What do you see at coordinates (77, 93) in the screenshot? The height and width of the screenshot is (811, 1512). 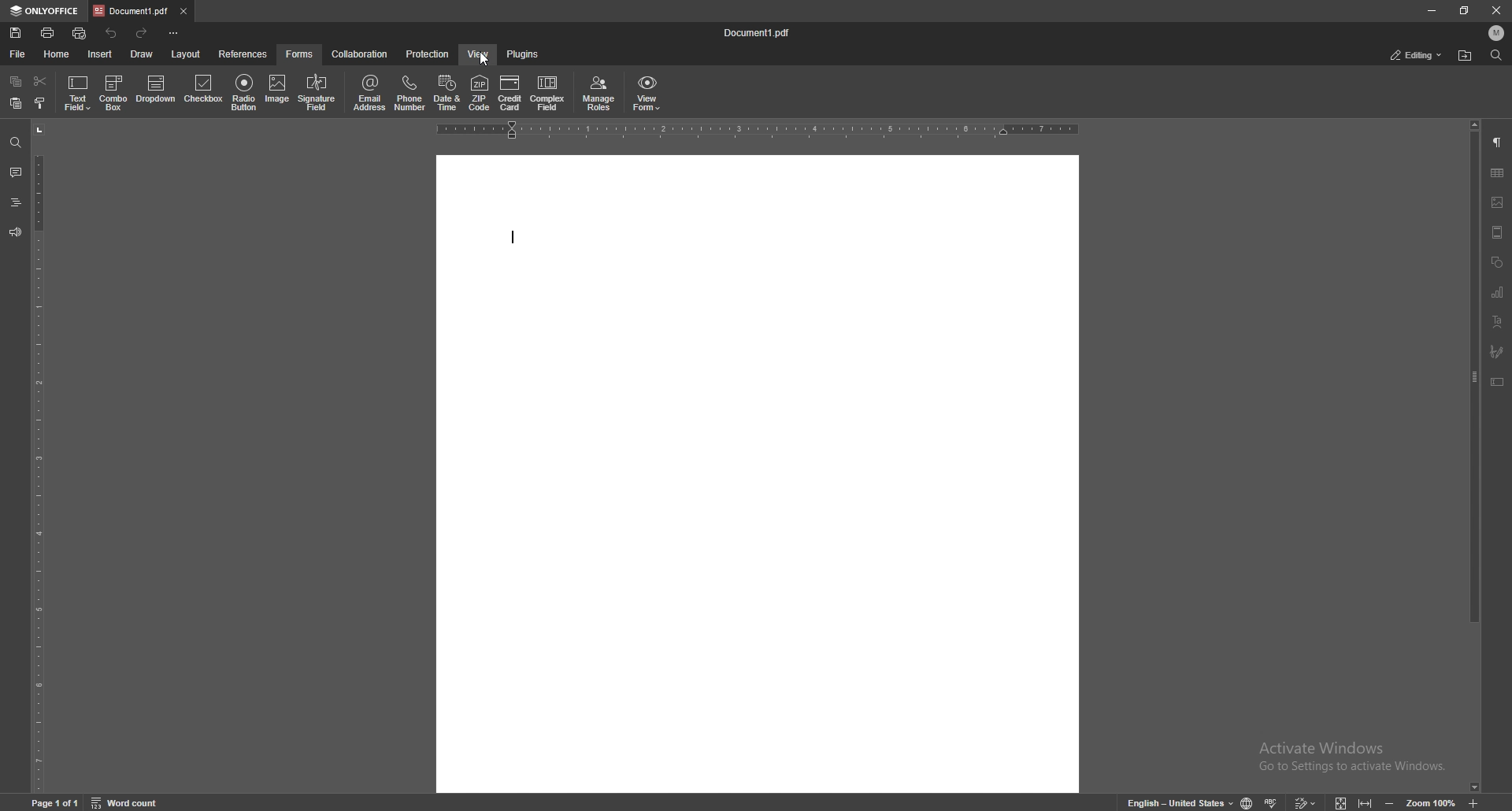 I see `text field` at bounding box center [77, 93].